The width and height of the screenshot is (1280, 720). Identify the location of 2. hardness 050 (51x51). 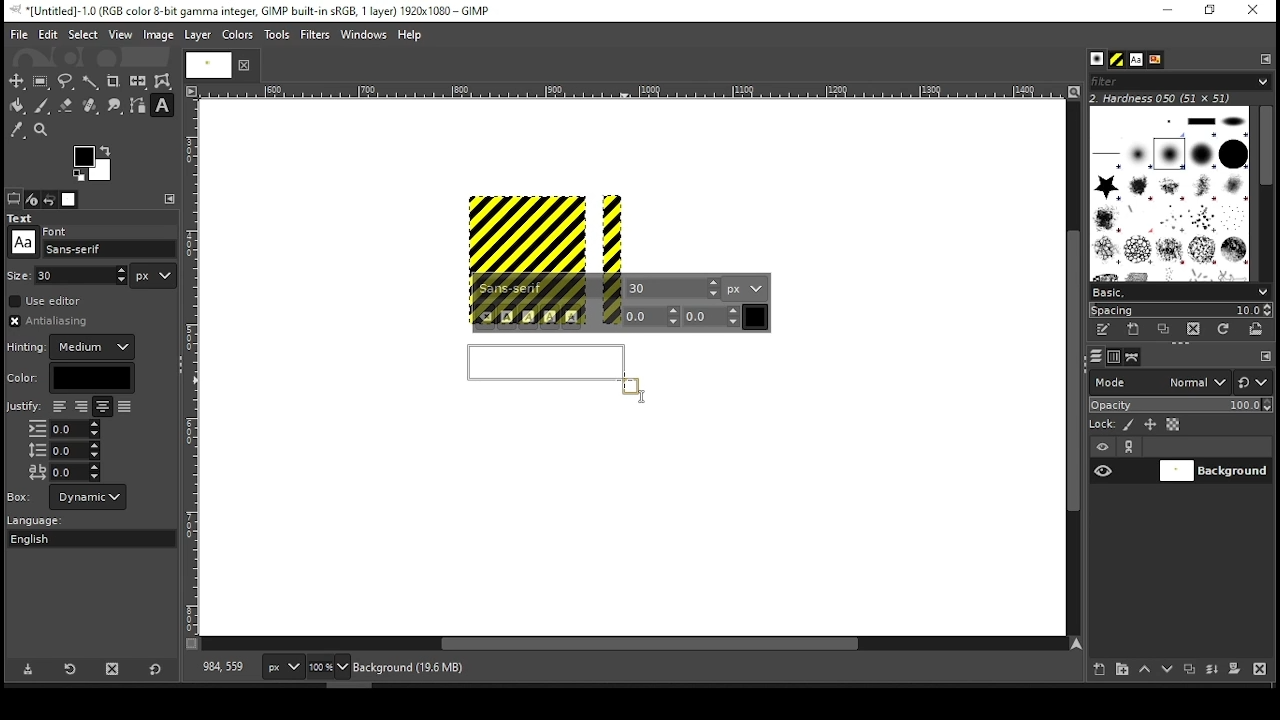
(1166, 98).